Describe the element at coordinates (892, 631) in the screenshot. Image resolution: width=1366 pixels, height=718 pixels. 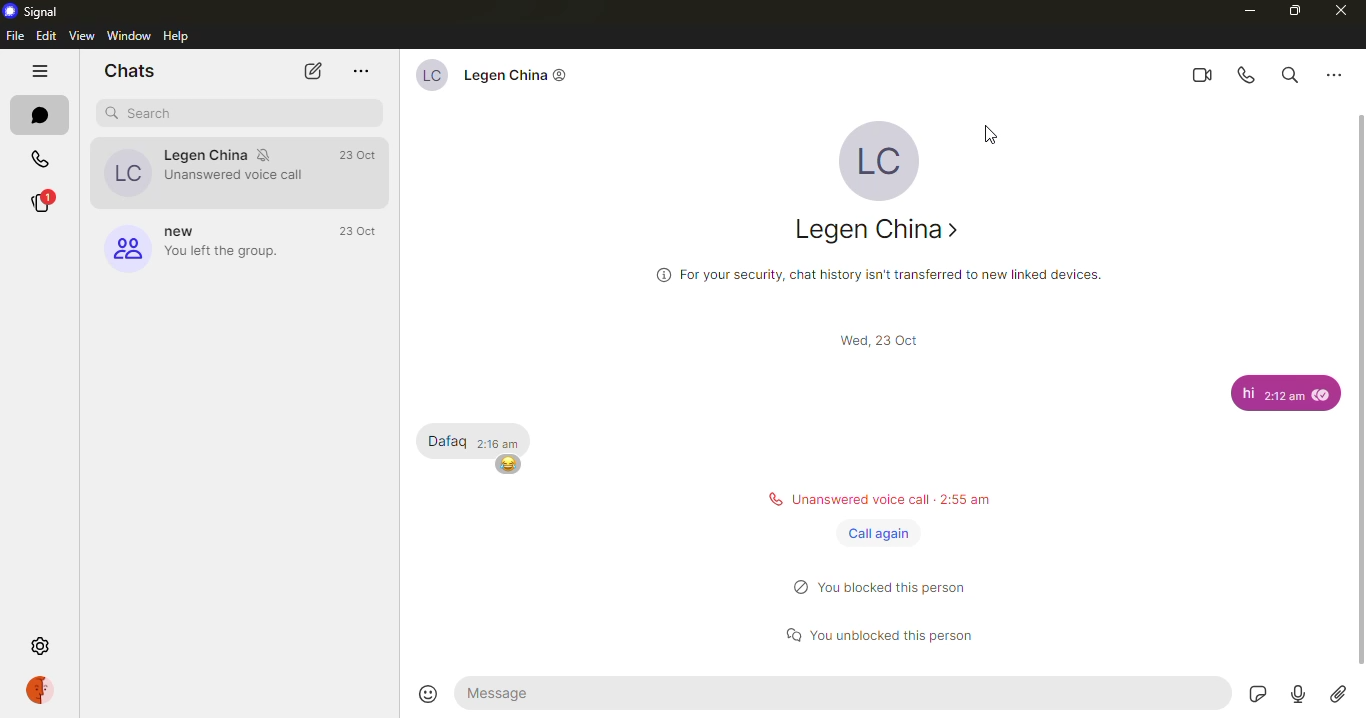
I see `status message` at that location.